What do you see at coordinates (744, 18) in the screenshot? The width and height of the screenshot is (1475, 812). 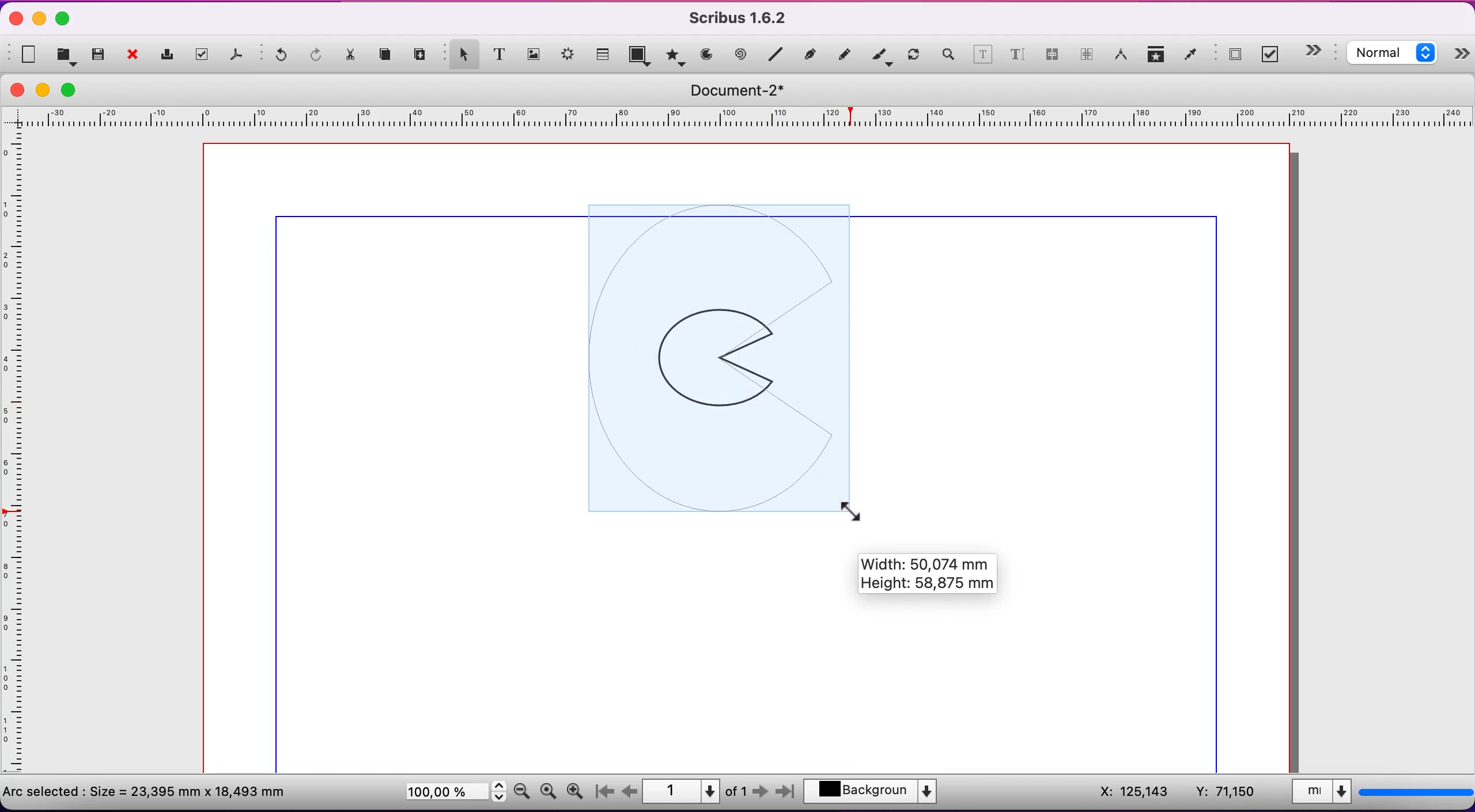 I see `scribus` at bounding box center [744, 18].